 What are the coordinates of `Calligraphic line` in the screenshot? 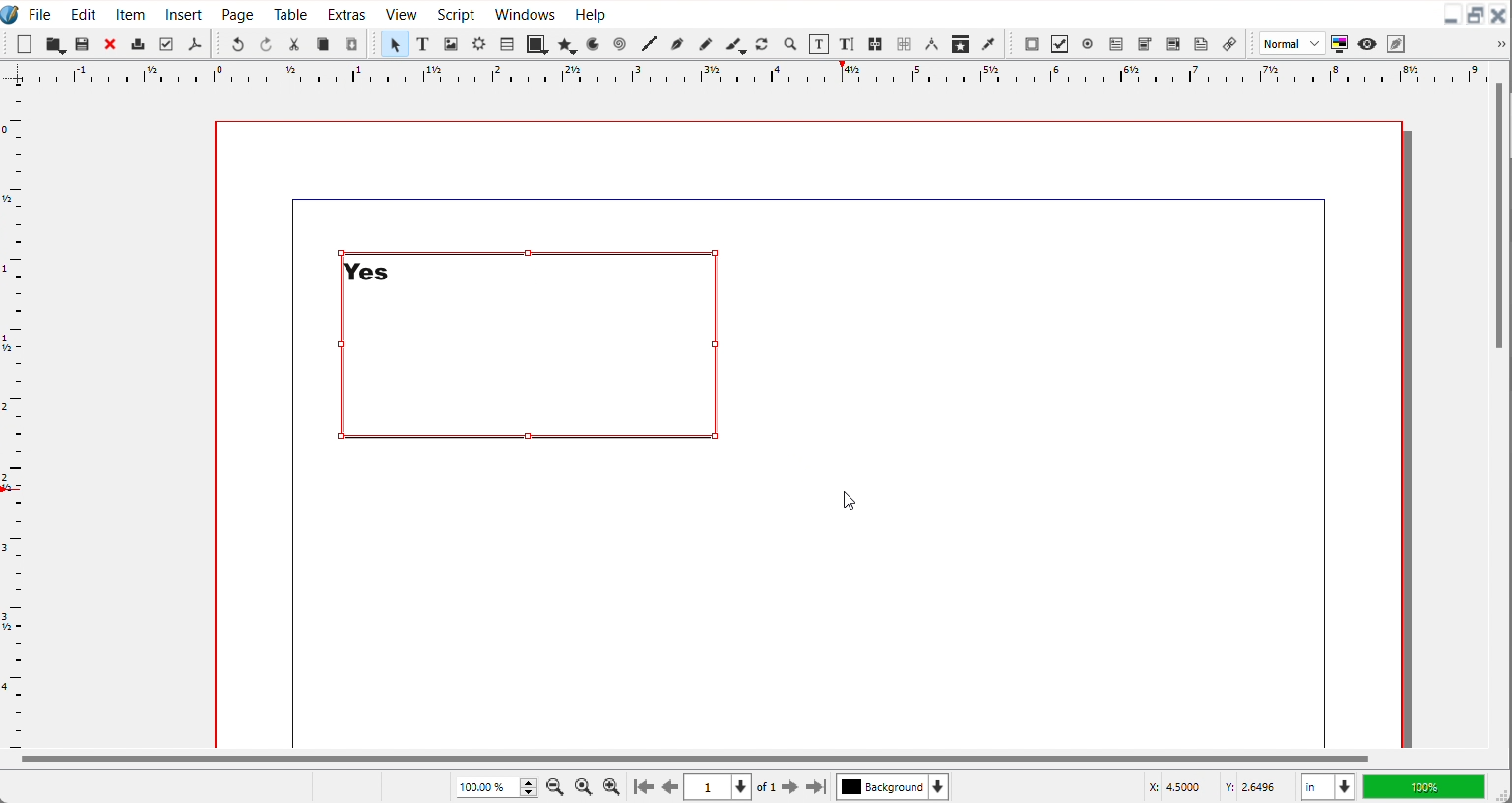 It's located at (735, 45).